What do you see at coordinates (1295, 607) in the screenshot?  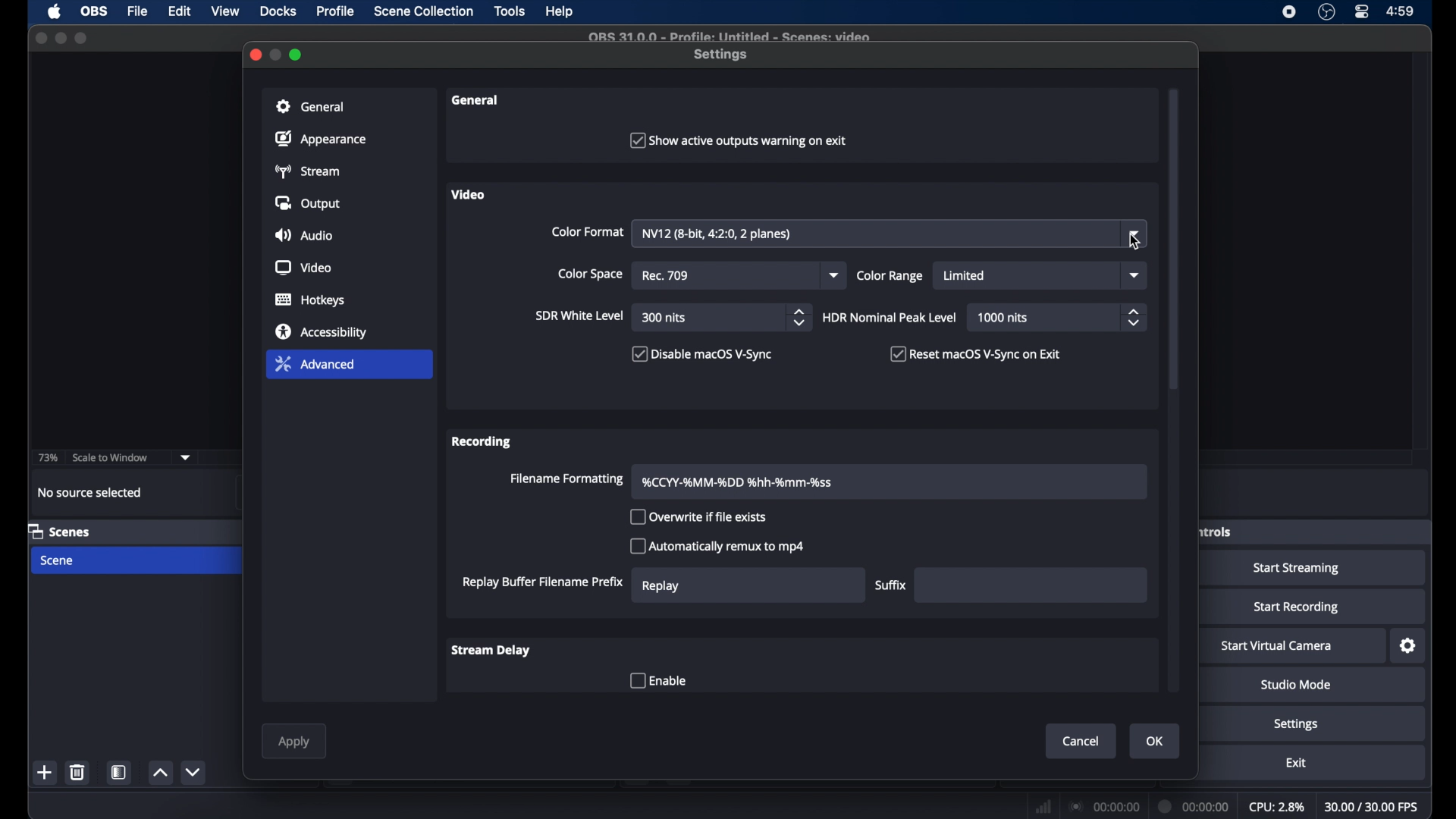 I see `start recording` at bounding box center [1295, 607].